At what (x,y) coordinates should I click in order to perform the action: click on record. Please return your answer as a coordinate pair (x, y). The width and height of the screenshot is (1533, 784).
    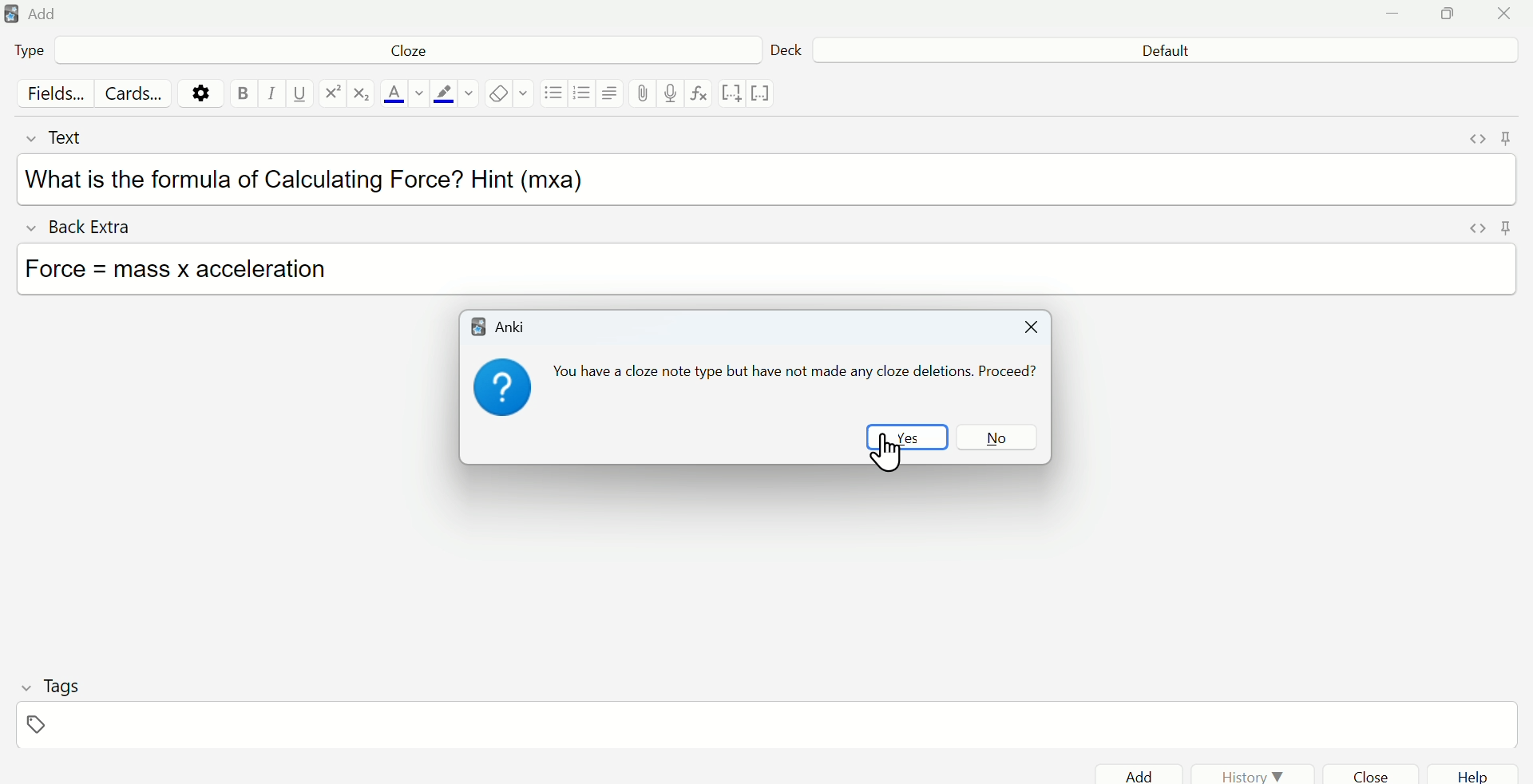
    Looking at the image, I should click on (671, 94).